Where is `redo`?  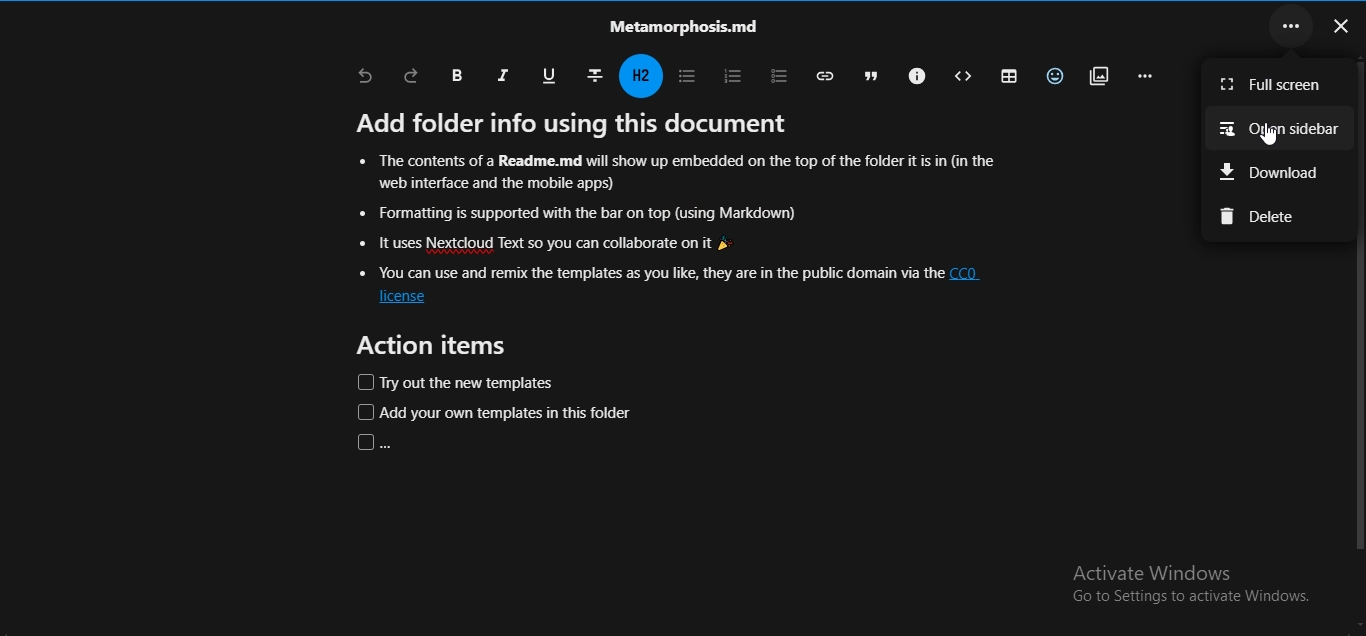 redo is located at coordinates (413, 75).